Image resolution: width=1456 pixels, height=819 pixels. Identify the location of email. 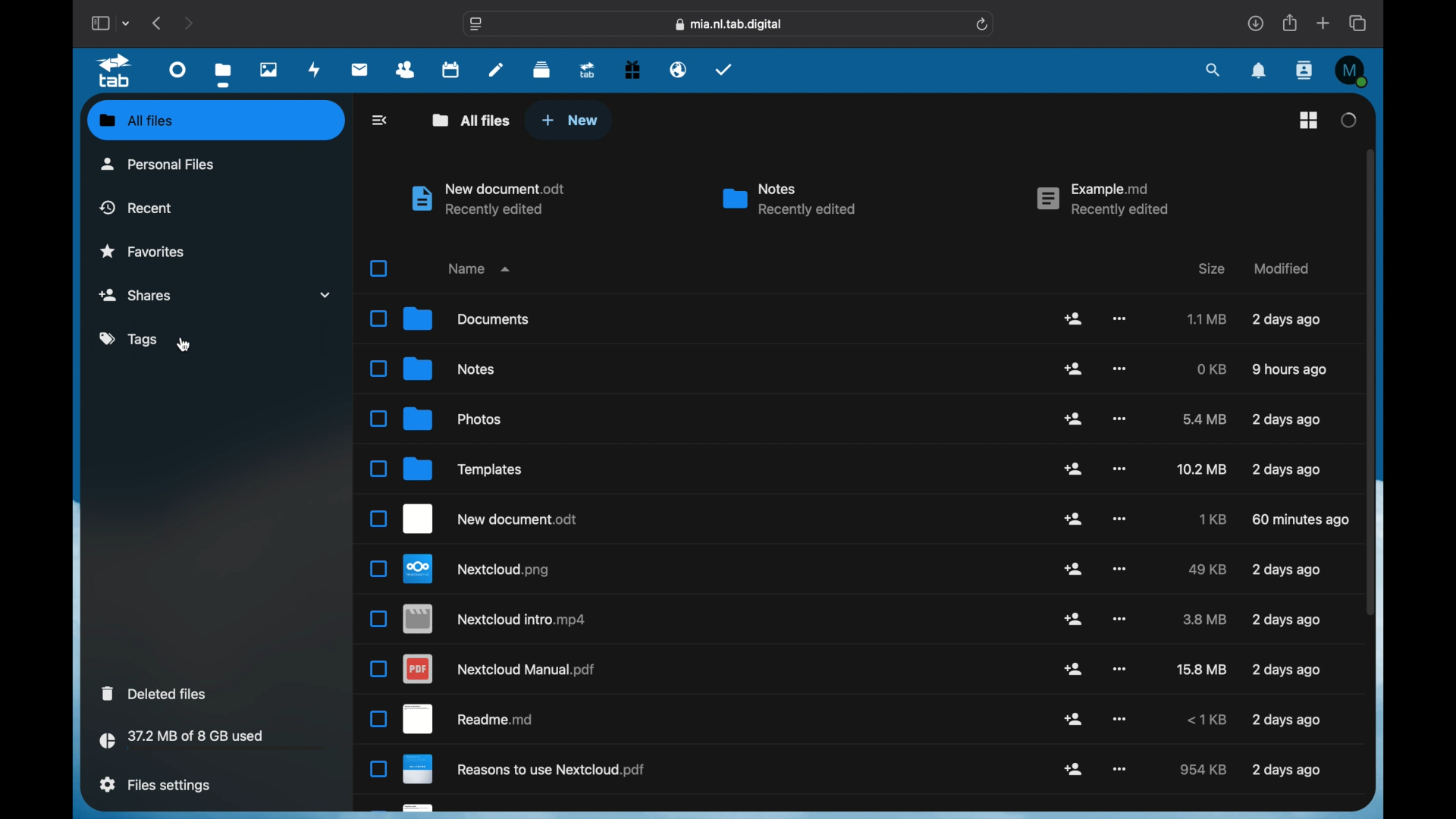
(678, 69).